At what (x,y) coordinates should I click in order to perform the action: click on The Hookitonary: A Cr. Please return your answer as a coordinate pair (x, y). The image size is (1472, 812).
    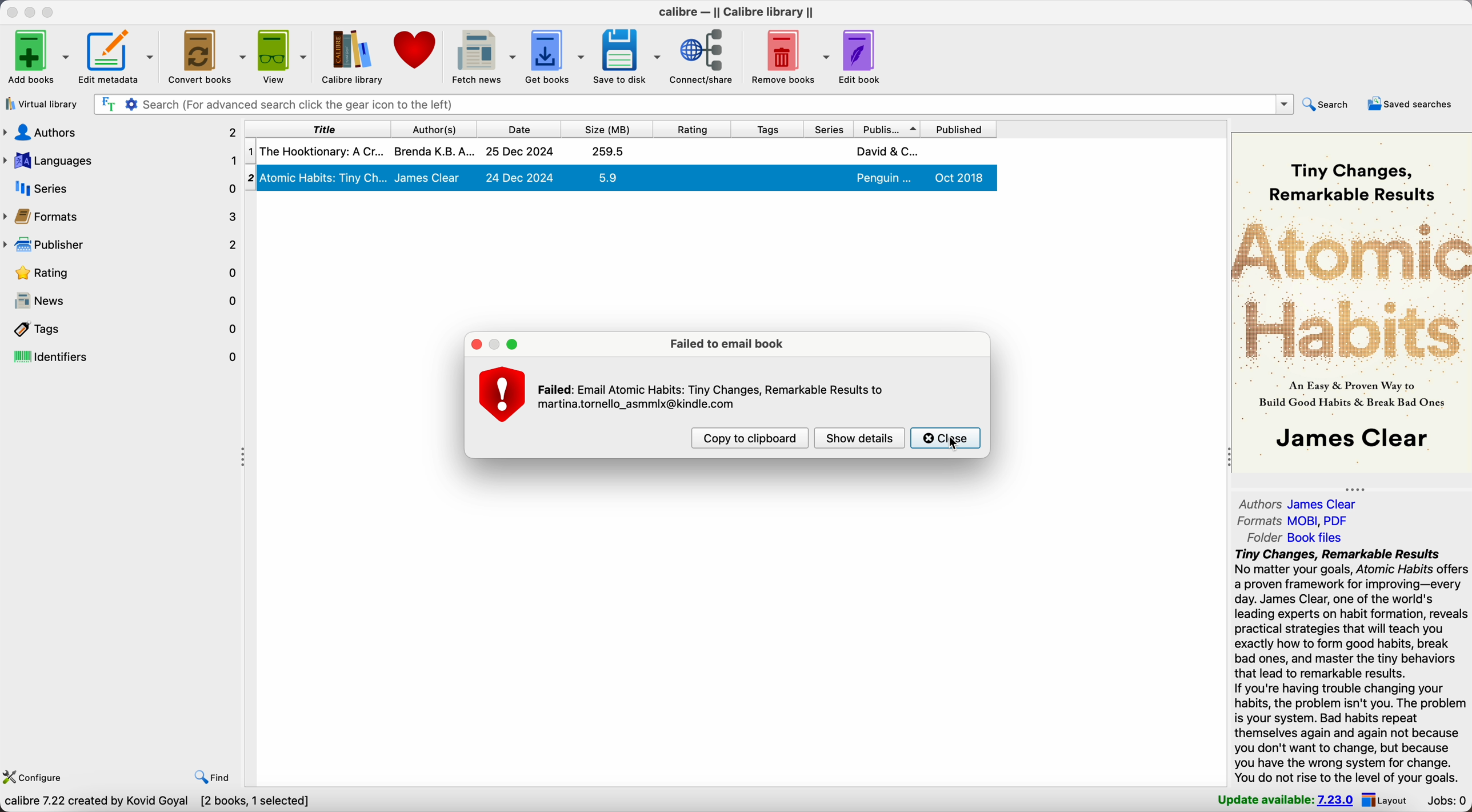
    Looking at the image, I should click on (321, 151).